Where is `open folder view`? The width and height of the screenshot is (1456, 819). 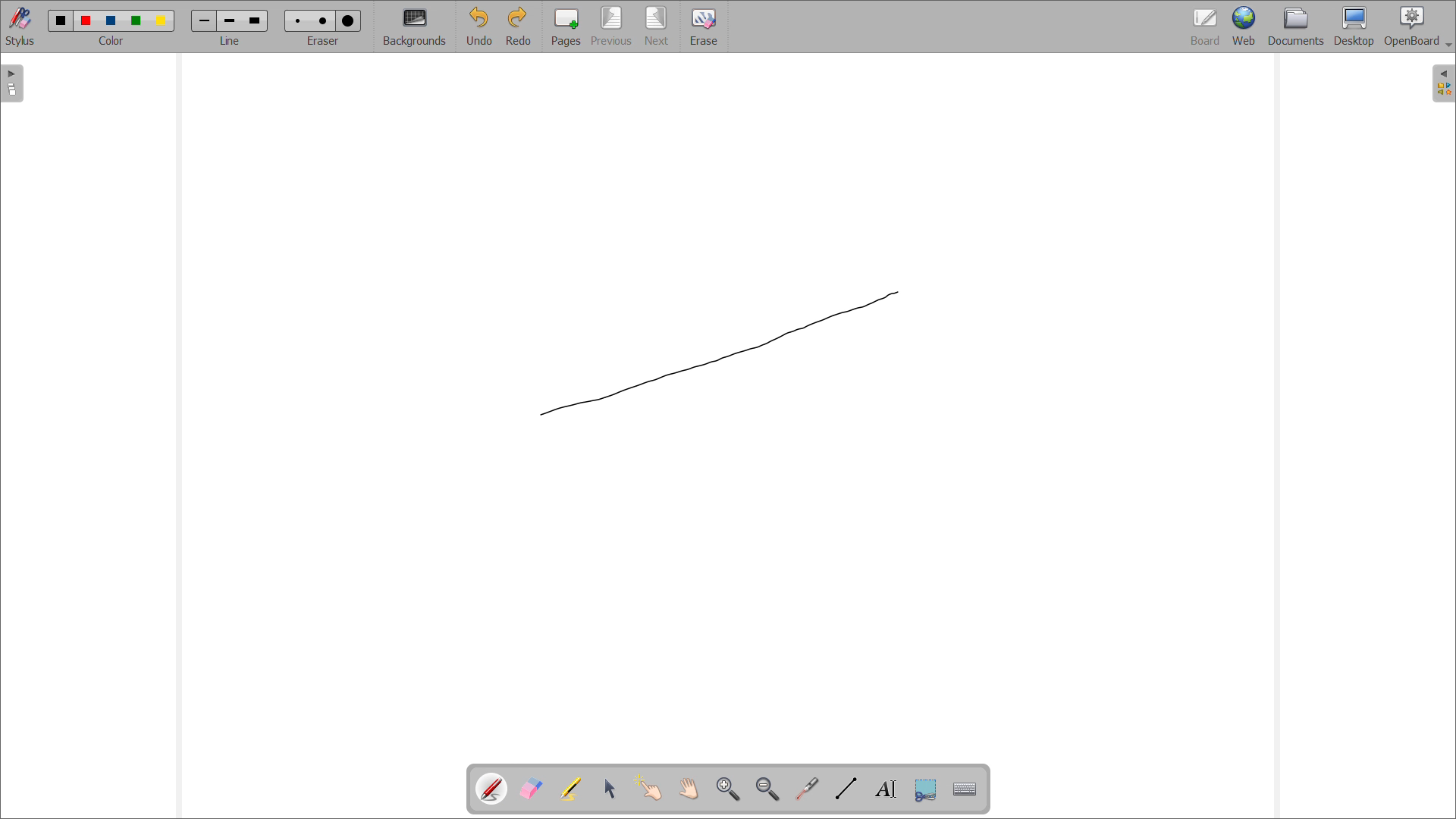 open folder view is located at coordinates (1443, 83).